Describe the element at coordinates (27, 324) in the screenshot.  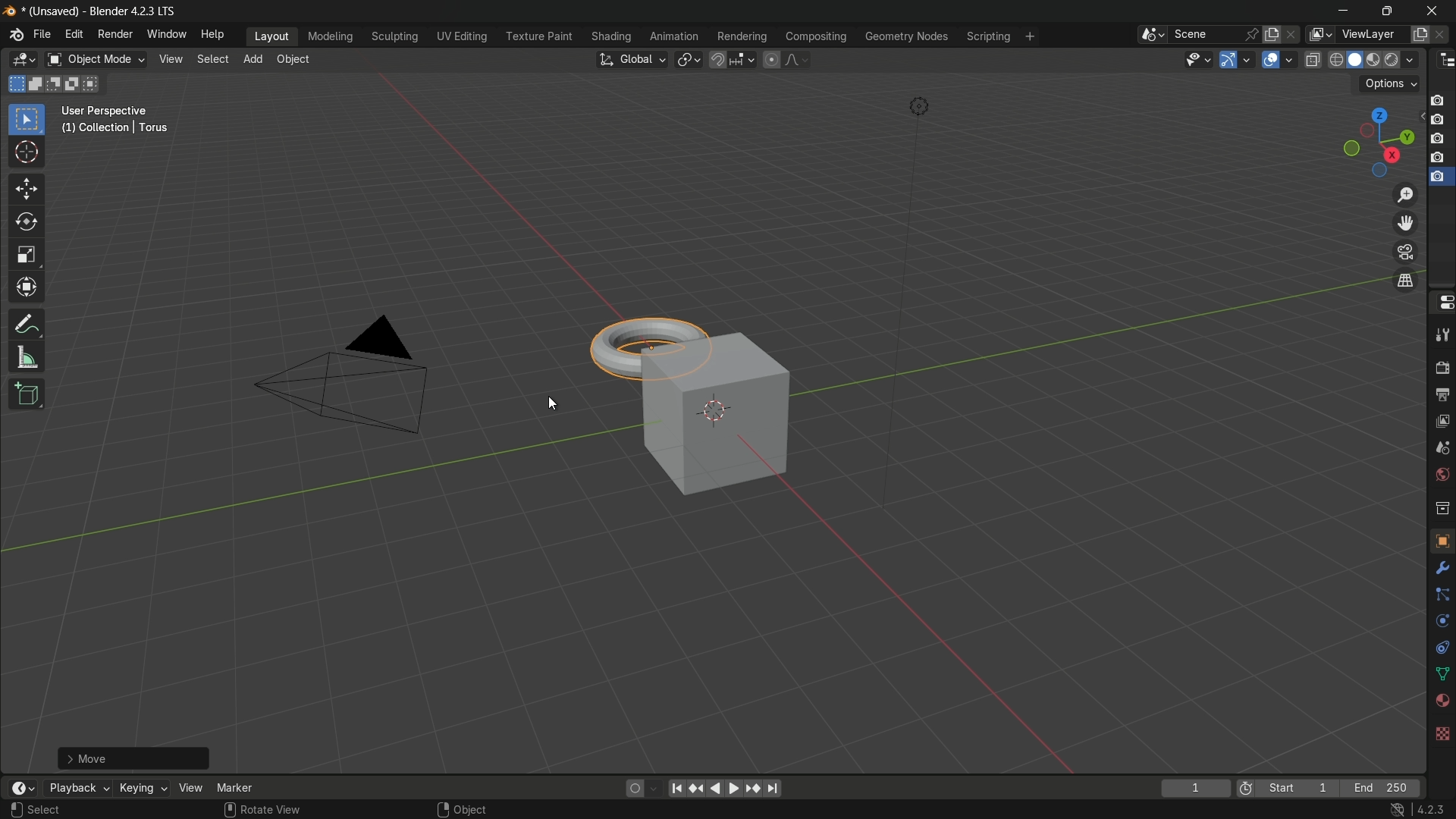
I see `annotate` at that location.